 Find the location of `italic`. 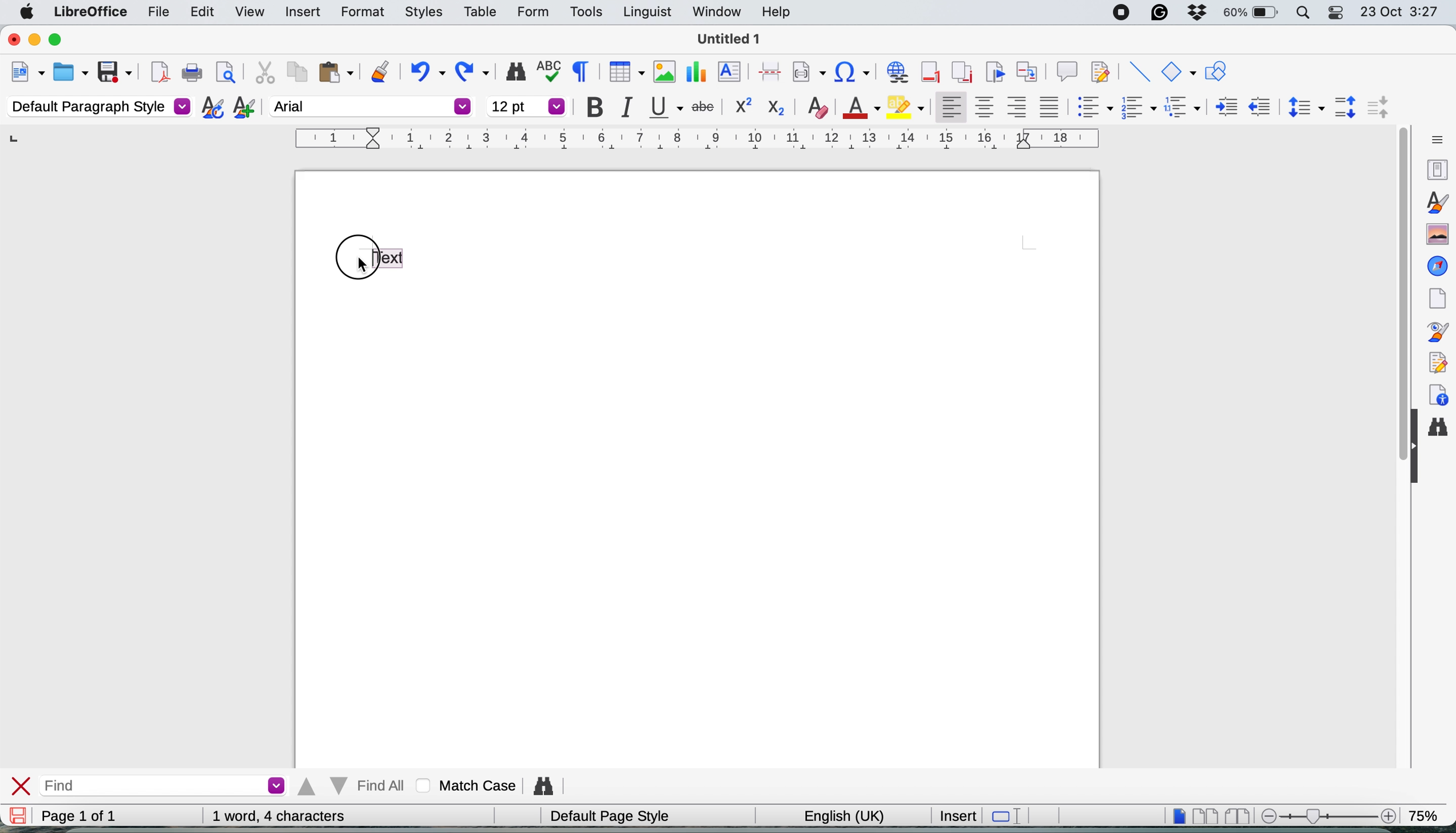

italic is located at coordinates (626, 107).